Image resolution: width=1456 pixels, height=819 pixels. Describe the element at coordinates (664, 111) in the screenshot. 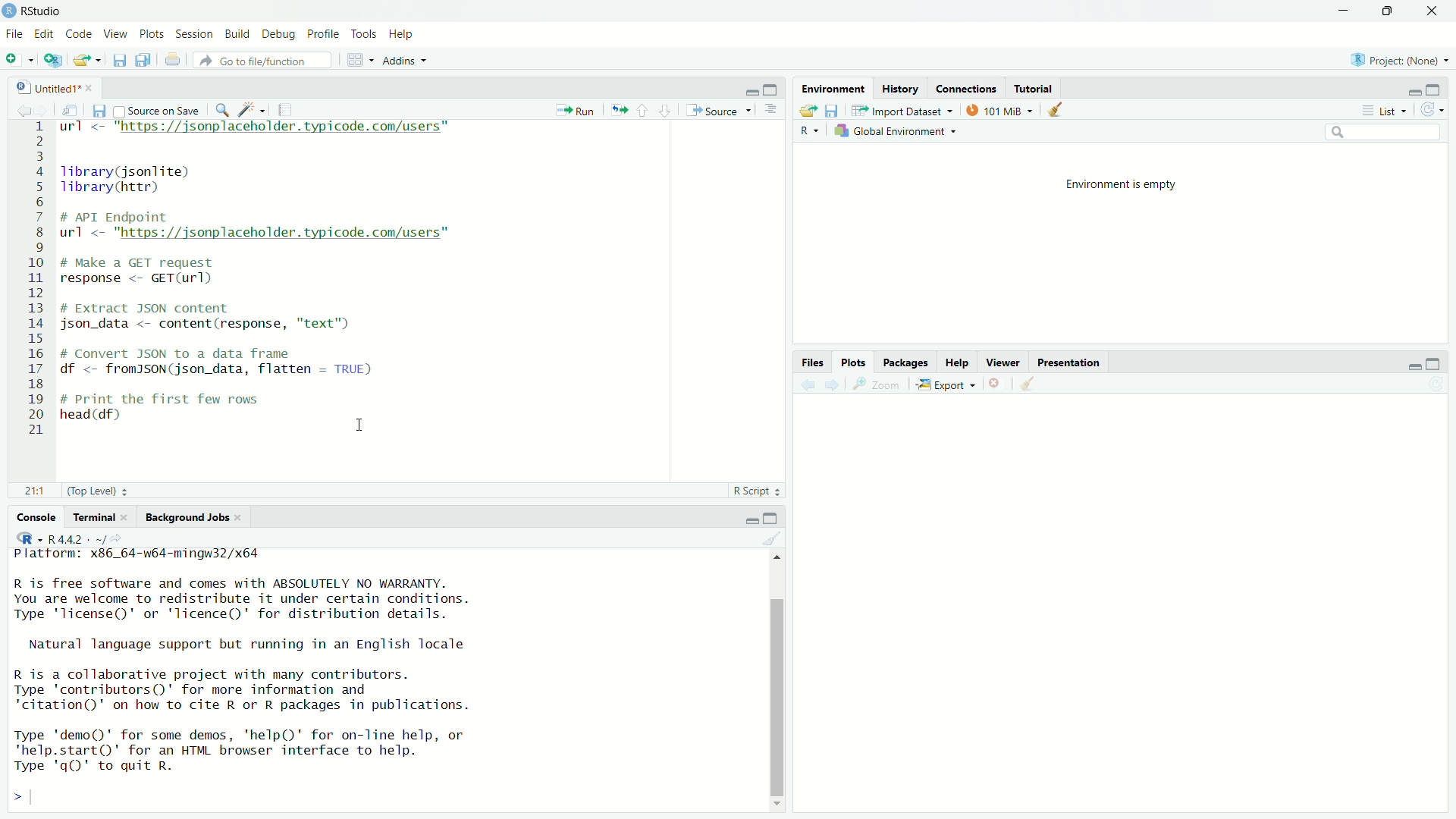

I see `Go to next section` at that location.